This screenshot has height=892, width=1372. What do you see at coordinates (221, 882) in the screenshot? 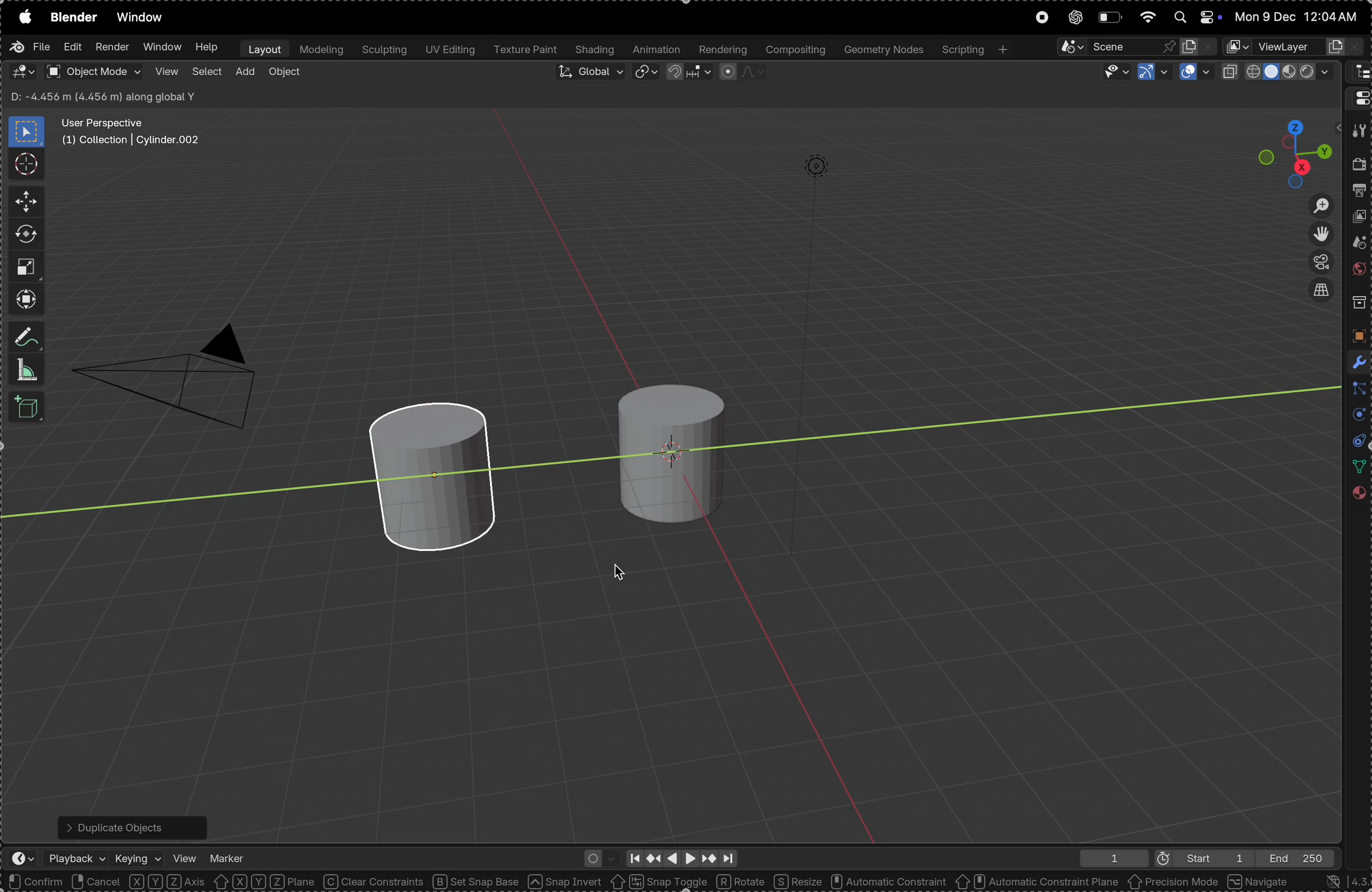
I see `Set 3d cursor` at bounding box center [221, 882].